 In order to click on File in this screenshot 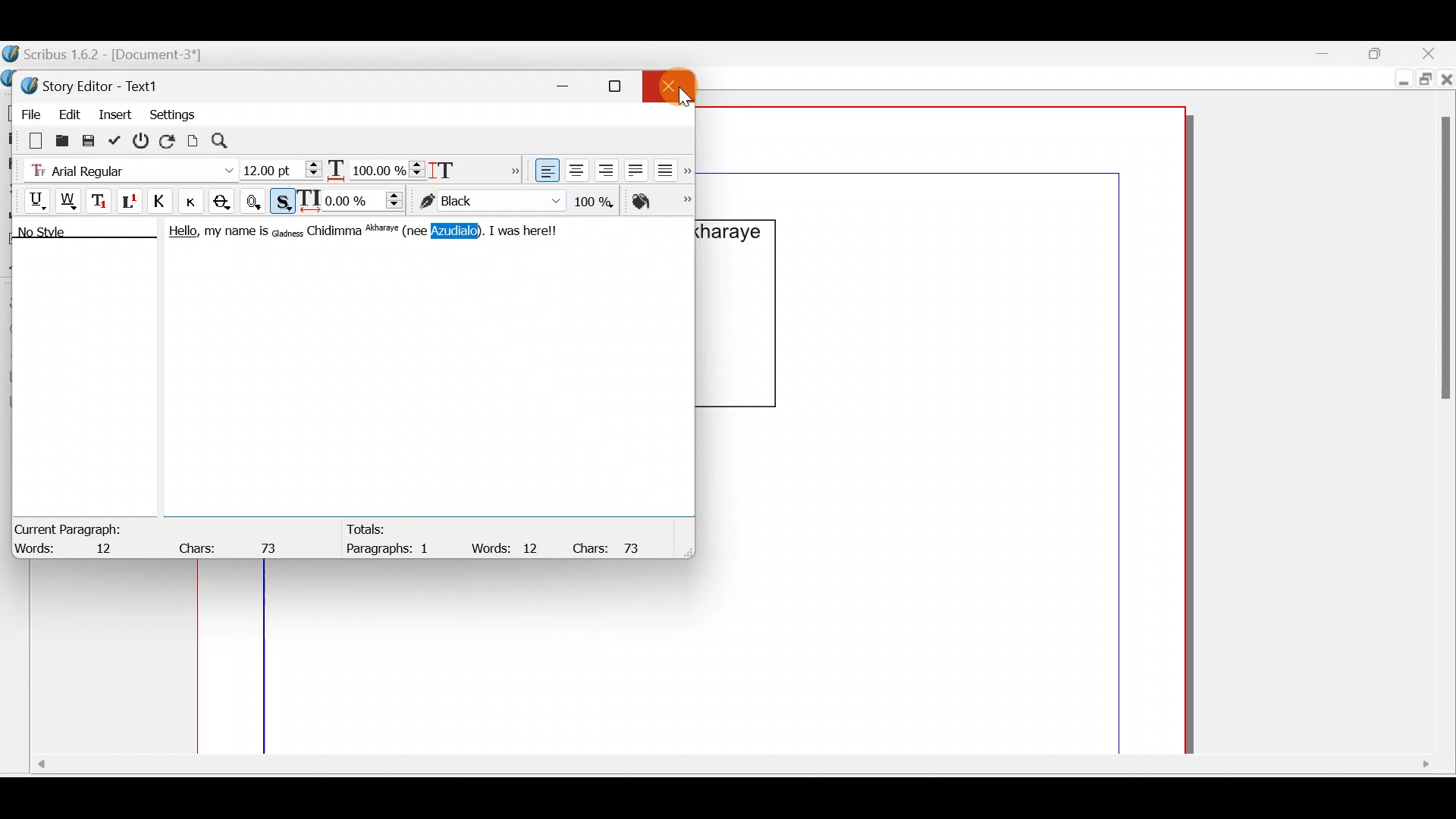, I will do `click(27, 111)`.